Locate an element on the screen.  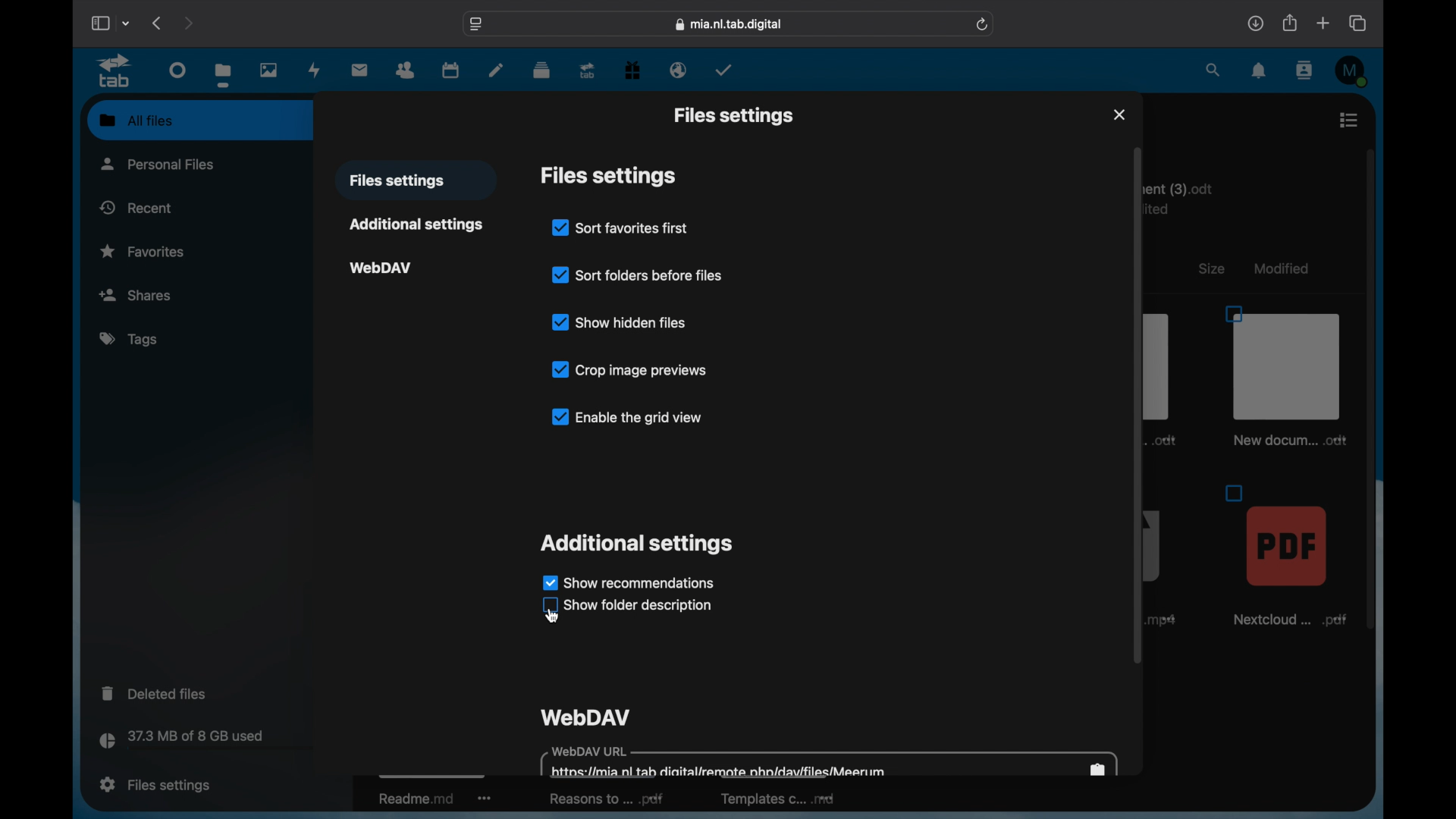
web address is located at coordinates (729, 24).